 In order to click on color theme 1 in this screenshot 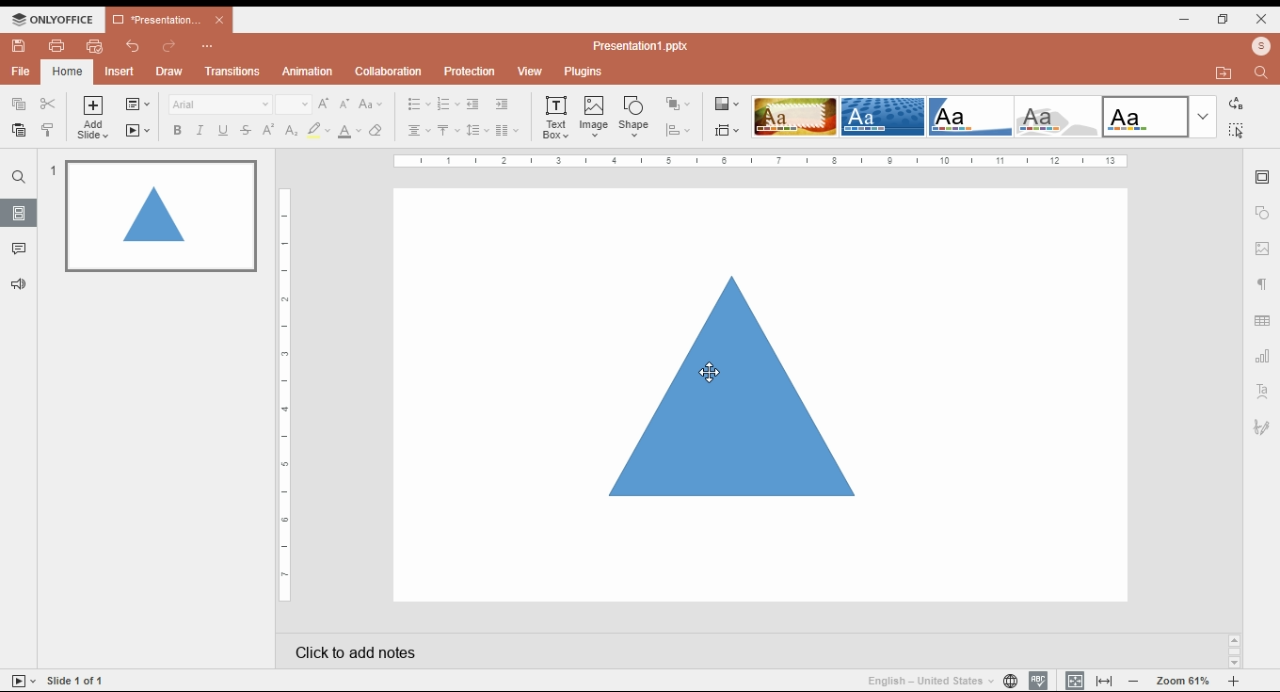, I will do `click(794, 116)`.